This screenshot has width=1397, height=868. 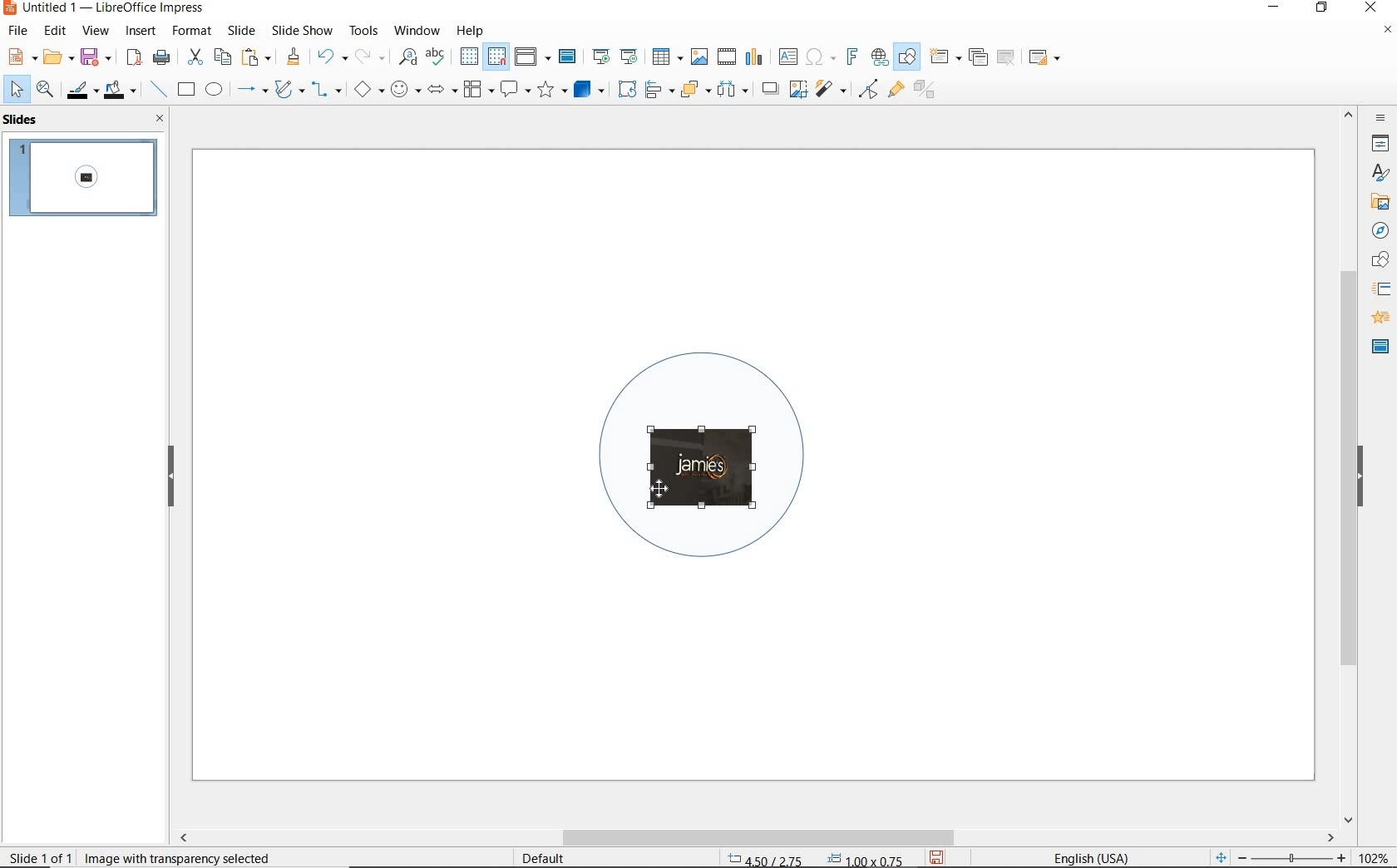 I want to click on arrange, so click(x=692, y=88).